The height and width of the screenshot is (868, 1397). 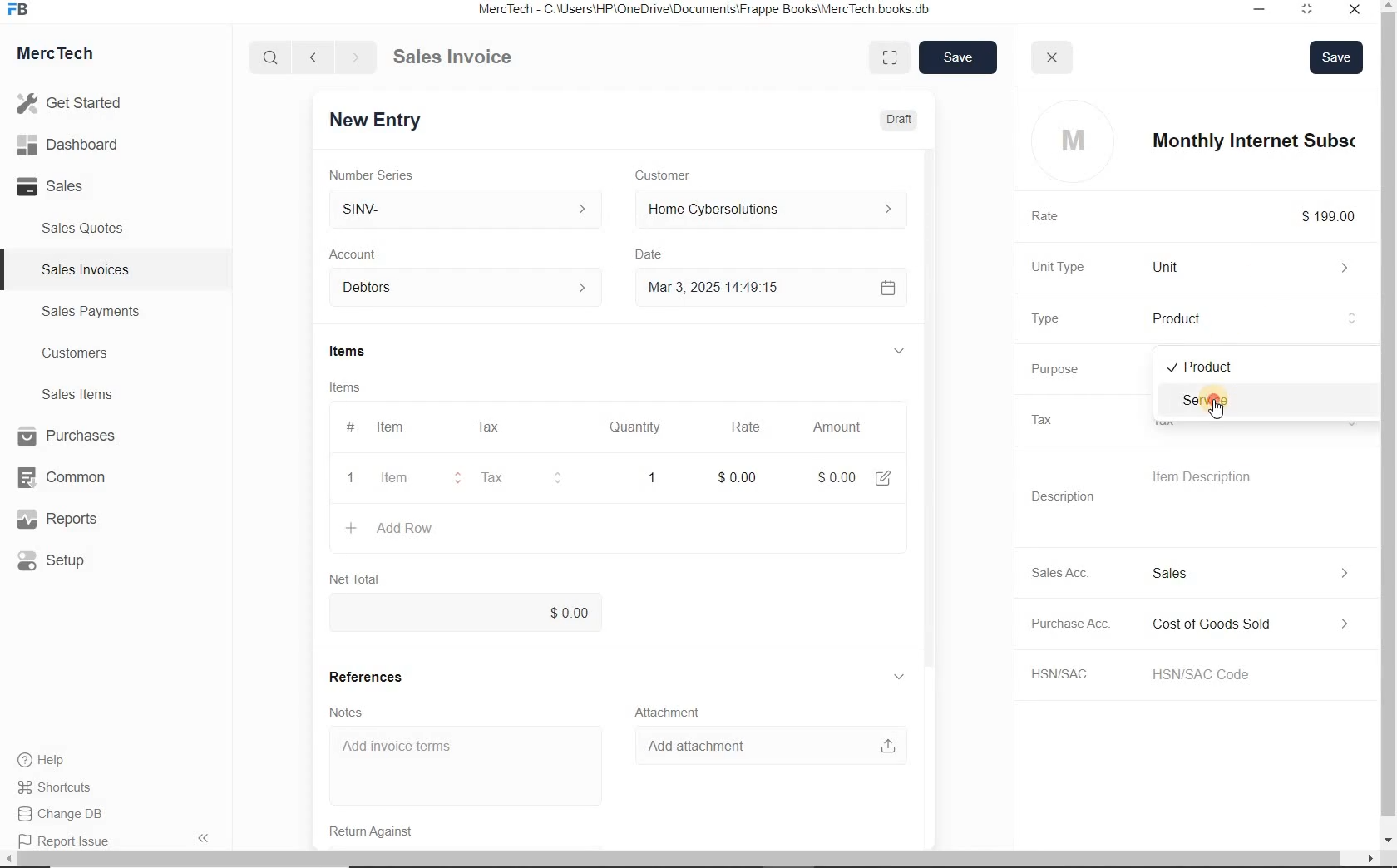 What do you see at coordinates (652, 476) in the screenshot?
I see `quatity: 1` at bounding box center [652, 476].